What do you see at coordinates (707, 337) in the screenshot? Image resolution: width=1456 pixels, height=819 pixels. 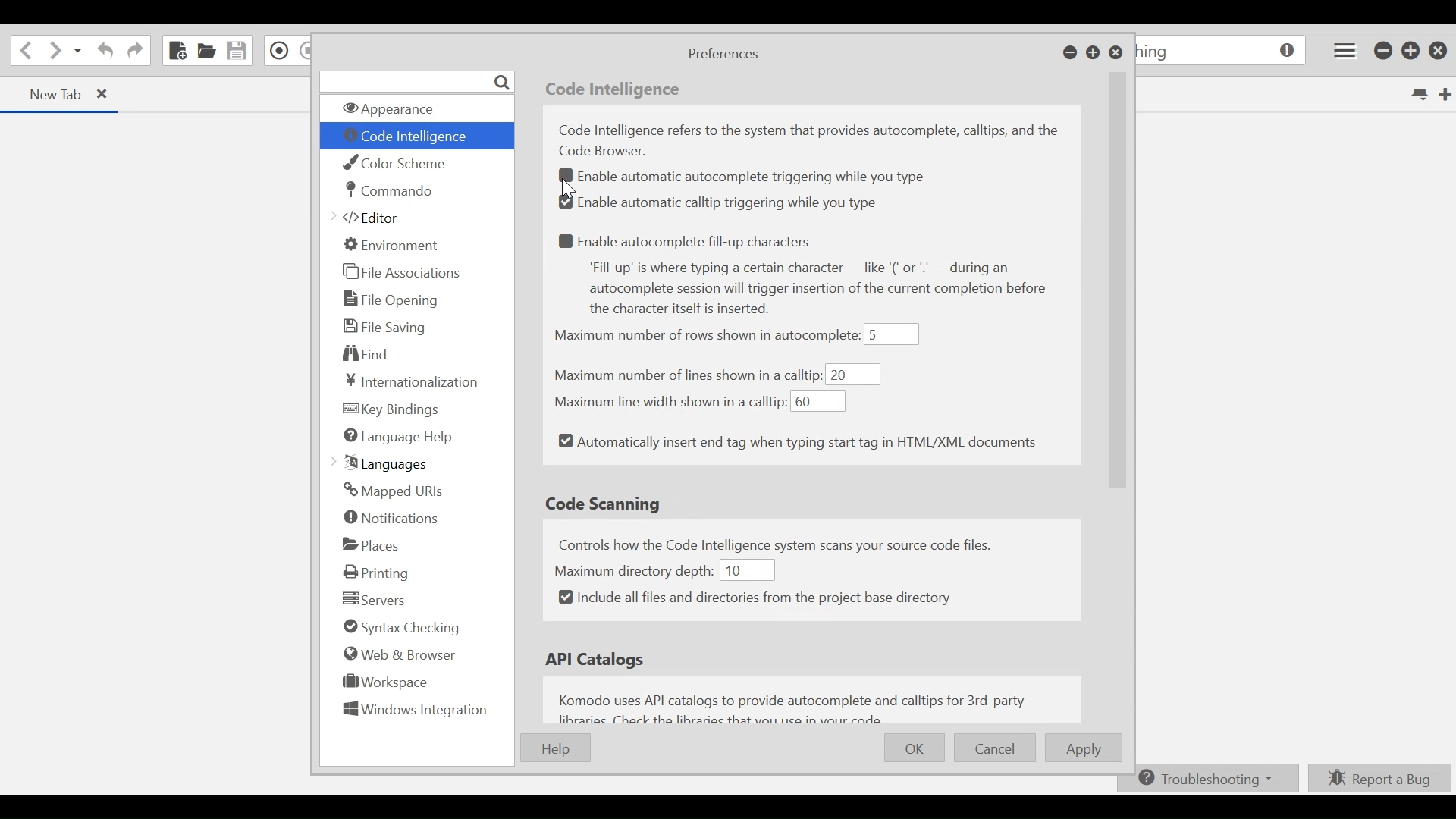 I see `Maximum number of rows shown in autocomplete:` at bounding box center [707, 337].